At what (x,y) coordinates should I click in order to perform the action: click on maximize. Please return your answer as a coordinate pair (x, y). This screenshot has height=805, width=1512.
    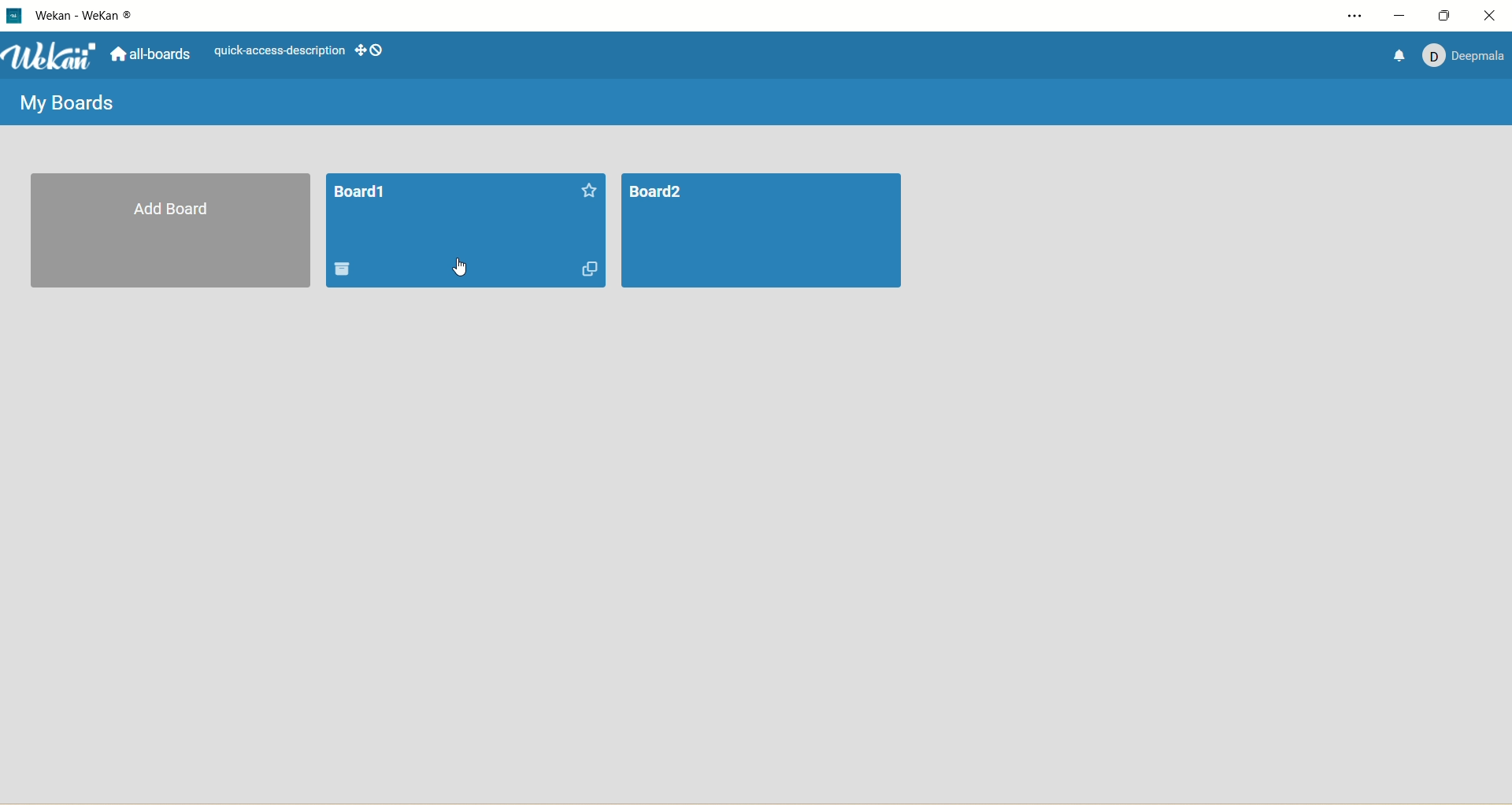
    Looking at the image, I should click on (1447, 15).